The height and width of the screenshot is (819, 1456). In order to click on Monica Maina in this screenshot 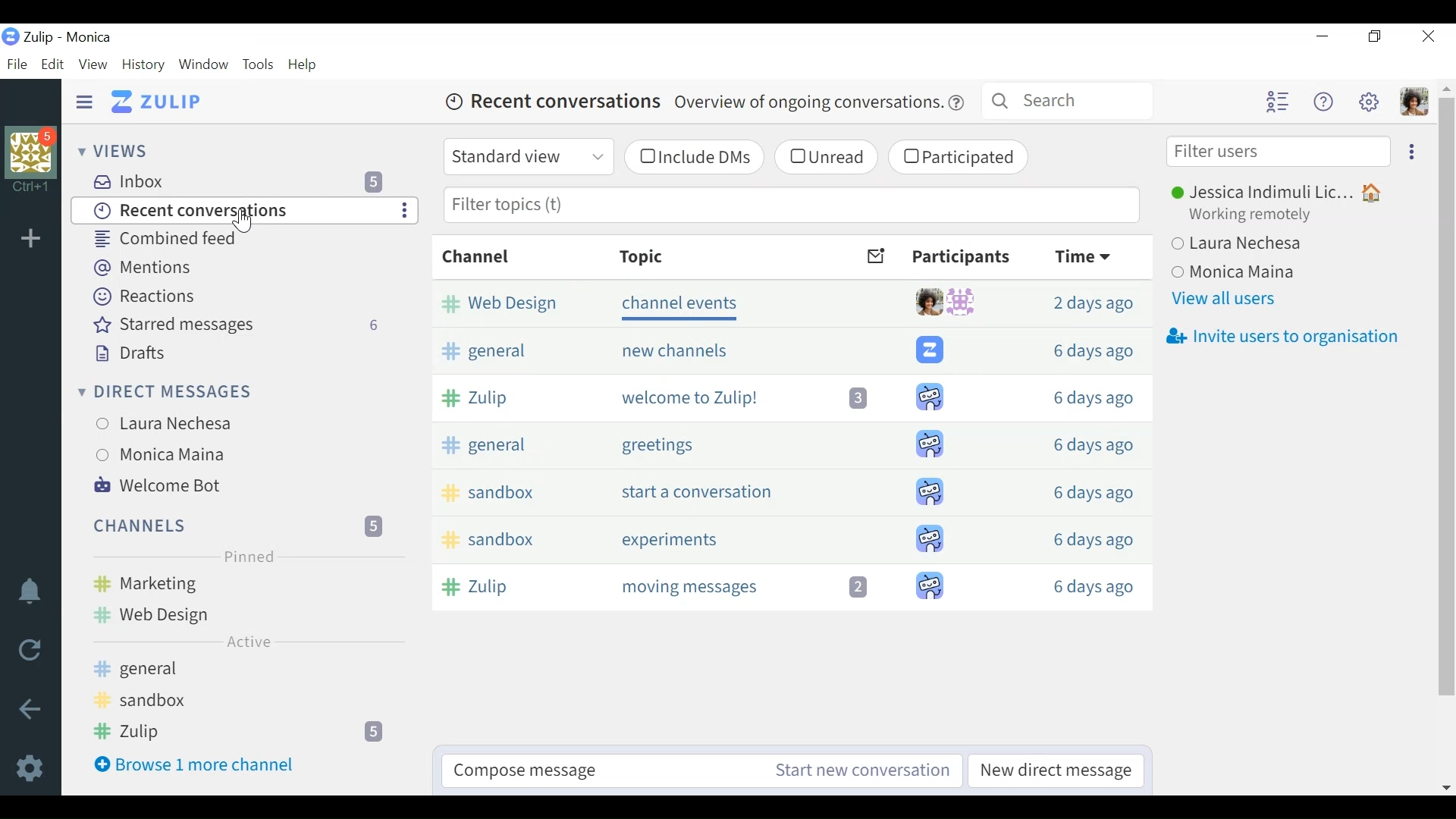, I will do `click(179, 453)`.